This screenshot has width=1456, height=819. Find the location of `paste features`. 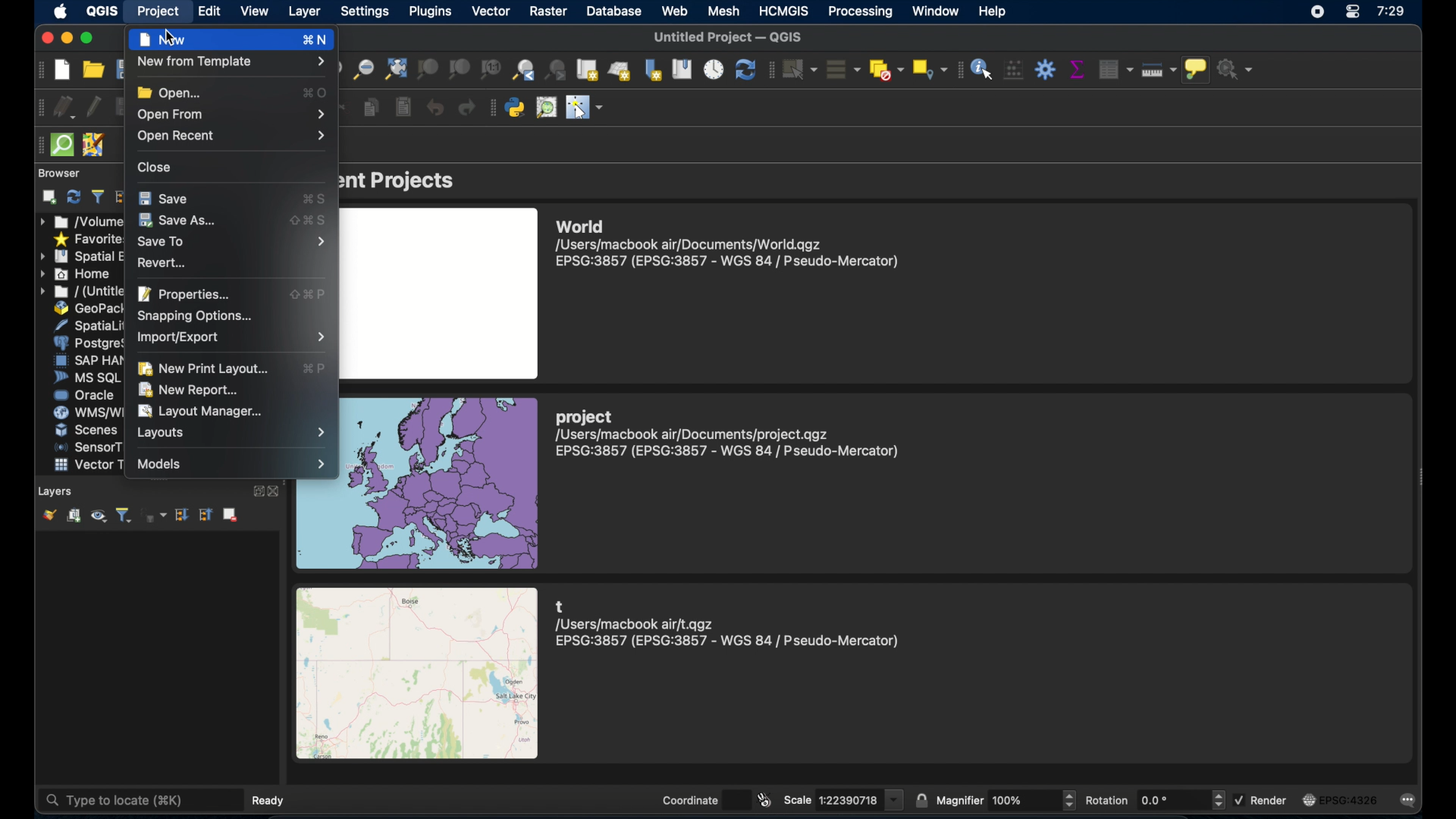

paste features is located at coordinates (403, 108).